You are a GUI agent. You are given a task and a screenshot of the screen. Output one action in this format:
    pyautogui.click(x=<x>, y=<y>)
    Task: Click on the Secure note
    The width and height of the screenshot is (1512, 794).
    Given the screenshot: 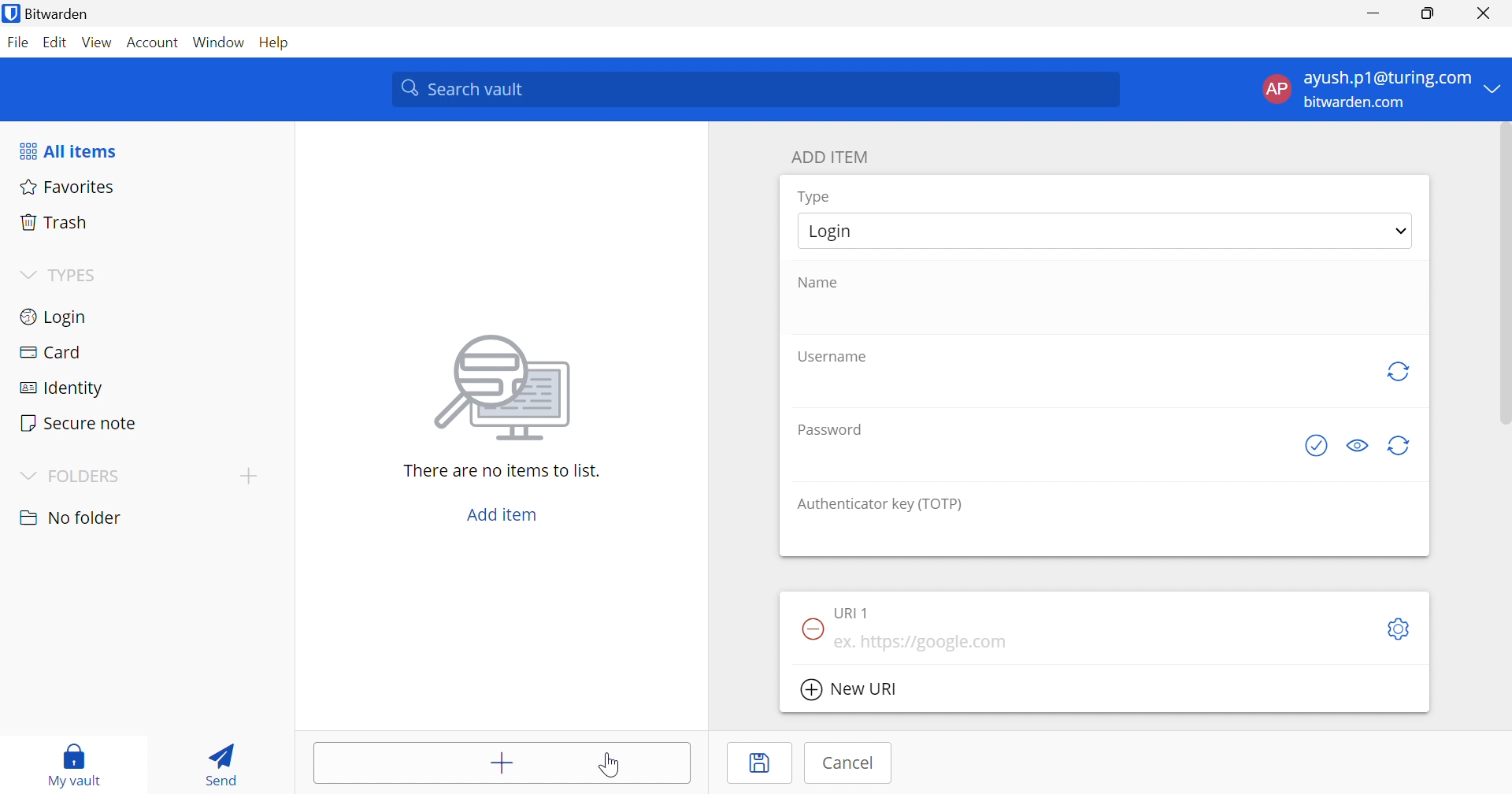 What is the action you would take?
    pyautogui.click(x=80, y=421)
    